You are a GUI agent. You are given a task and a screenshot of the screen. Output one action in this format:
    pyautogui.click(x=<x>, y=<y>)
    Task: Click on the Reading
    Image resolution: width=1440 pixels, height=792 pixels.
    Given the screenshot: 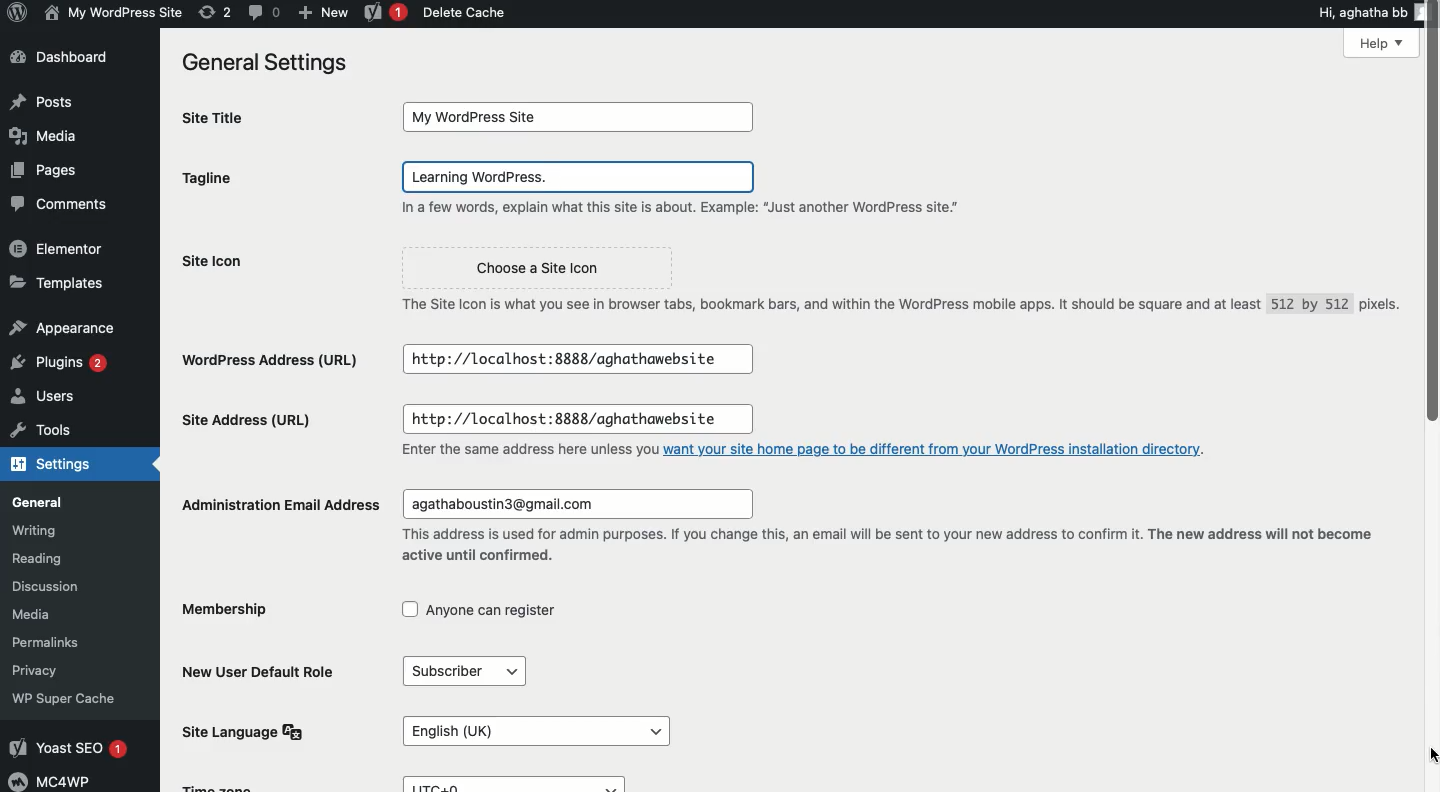 What is the action you would take?
    pyautogui.click(x=49, y=556)
    